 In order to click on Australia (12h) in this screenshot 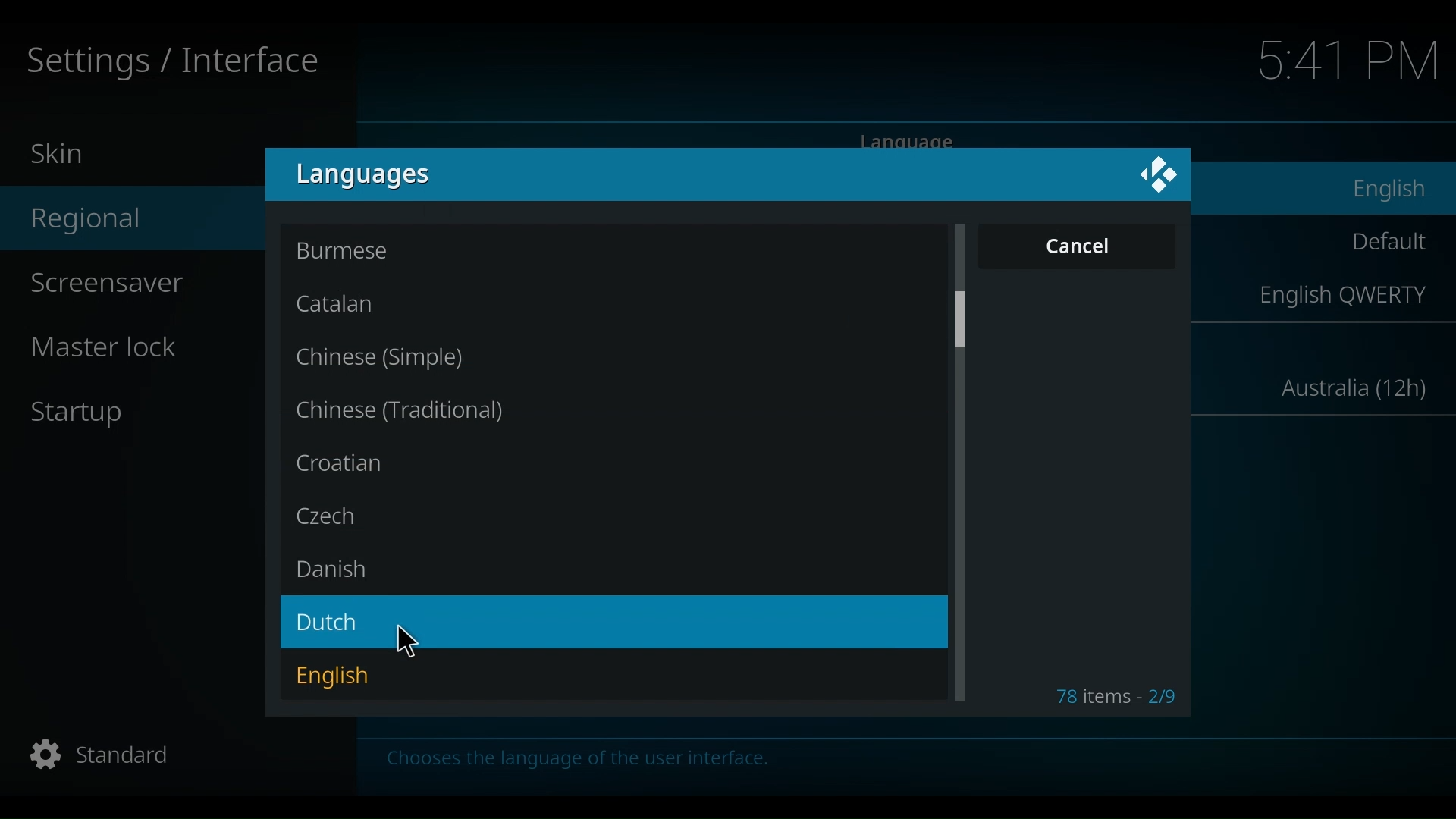, I will do `click(1355, 393)`.